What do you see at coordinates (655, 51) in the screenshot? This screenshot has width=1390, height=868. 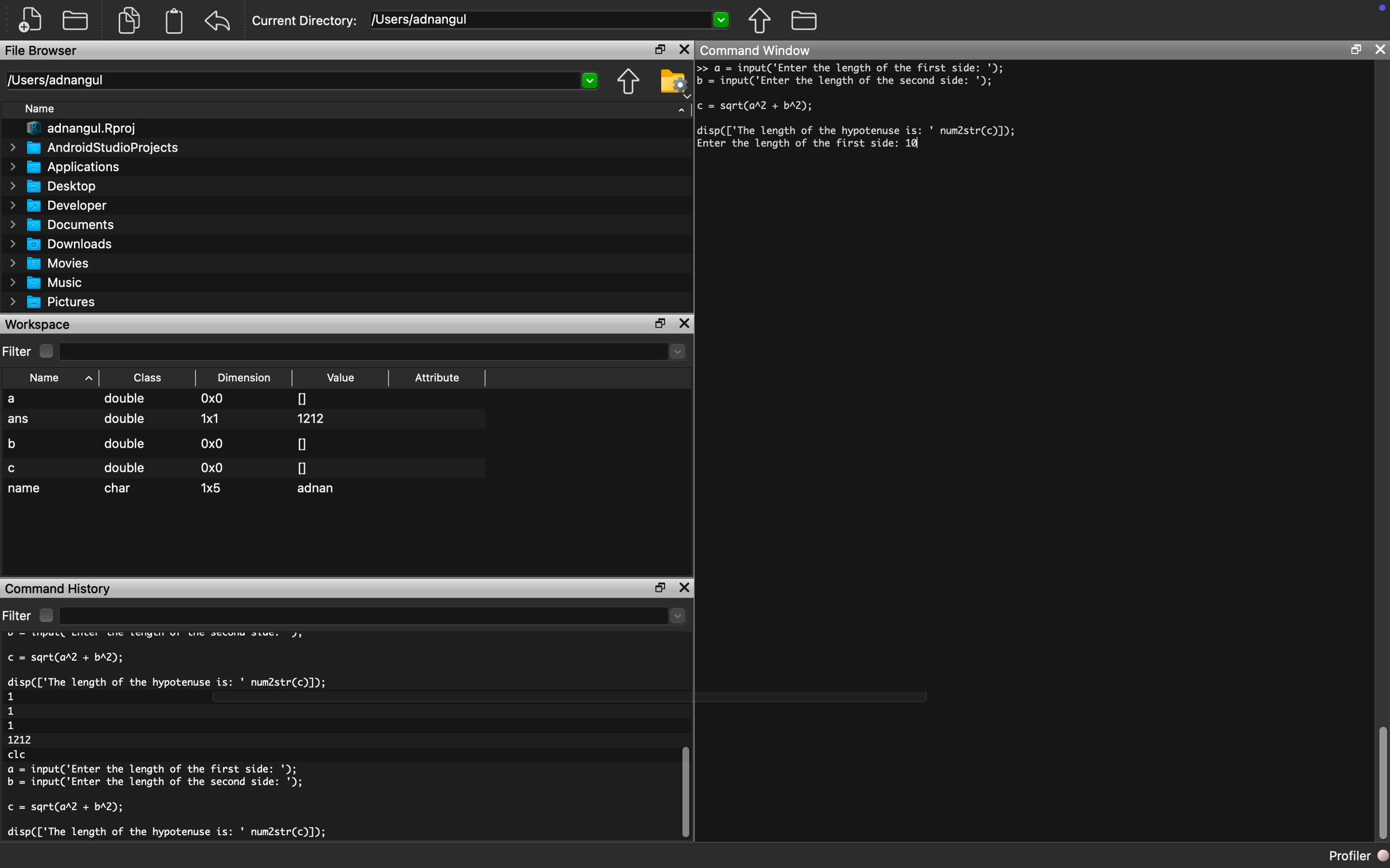 I see `restore down` at bounding box center [655, 51].